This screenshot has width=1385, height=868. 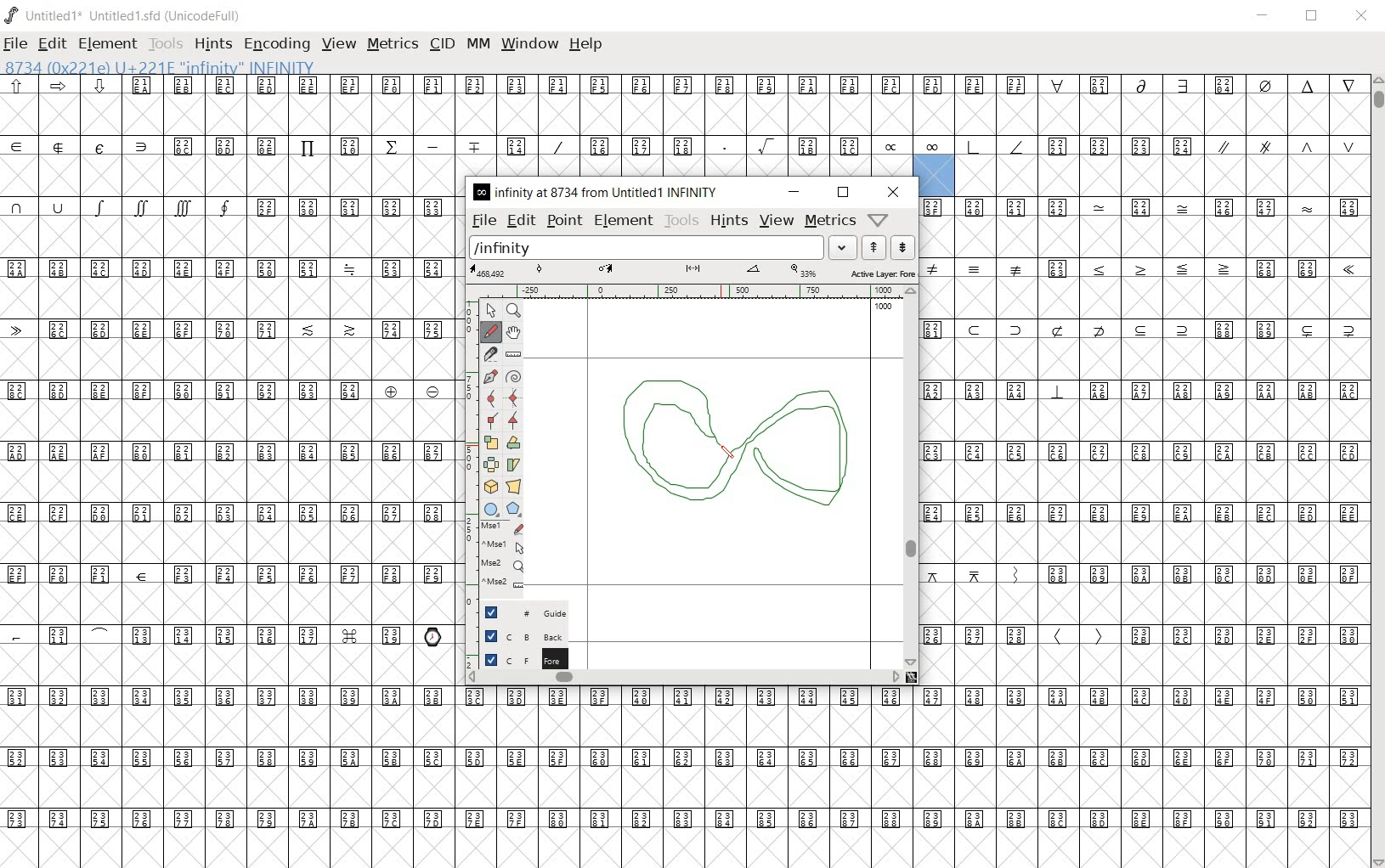 What do you see at coordinates (231, 515) in the screenshot?
I see `Unicode code points` at bounding box center [231, 515].